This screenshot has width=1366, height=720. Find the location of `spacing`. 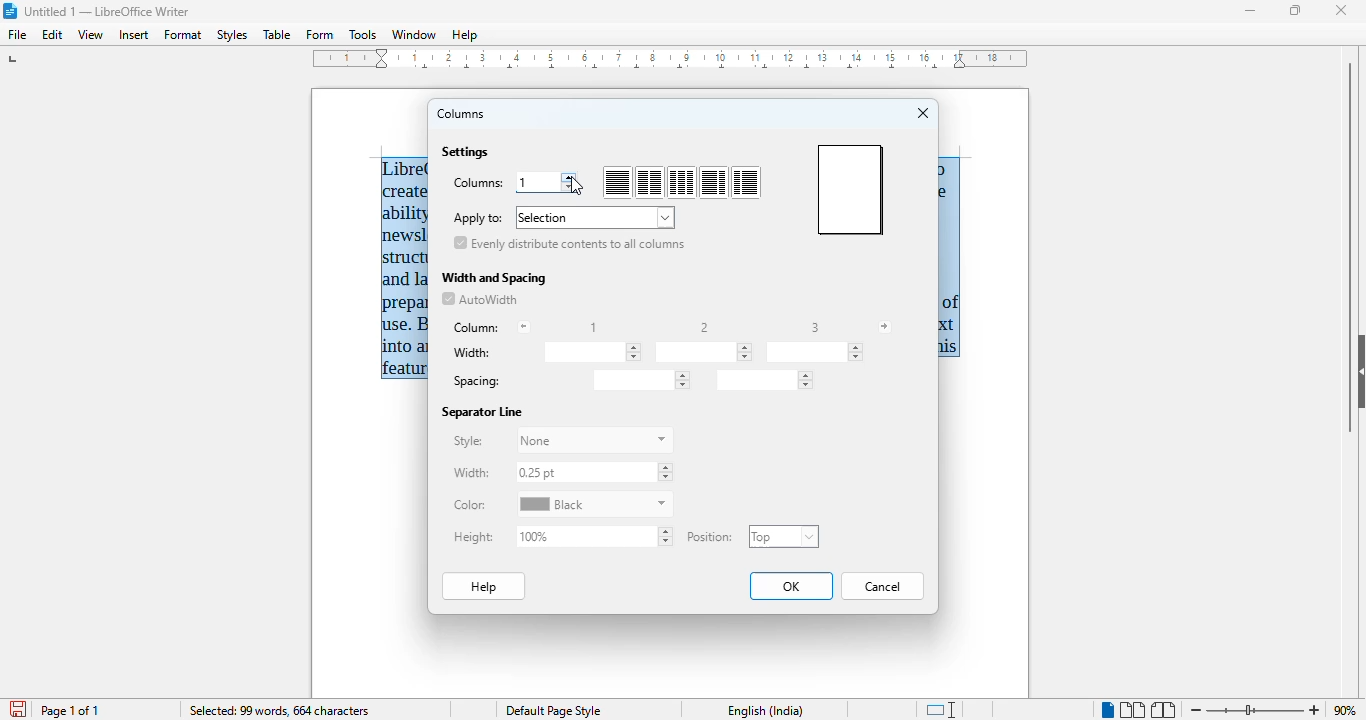

spacing is located at coordinates (763, 380).